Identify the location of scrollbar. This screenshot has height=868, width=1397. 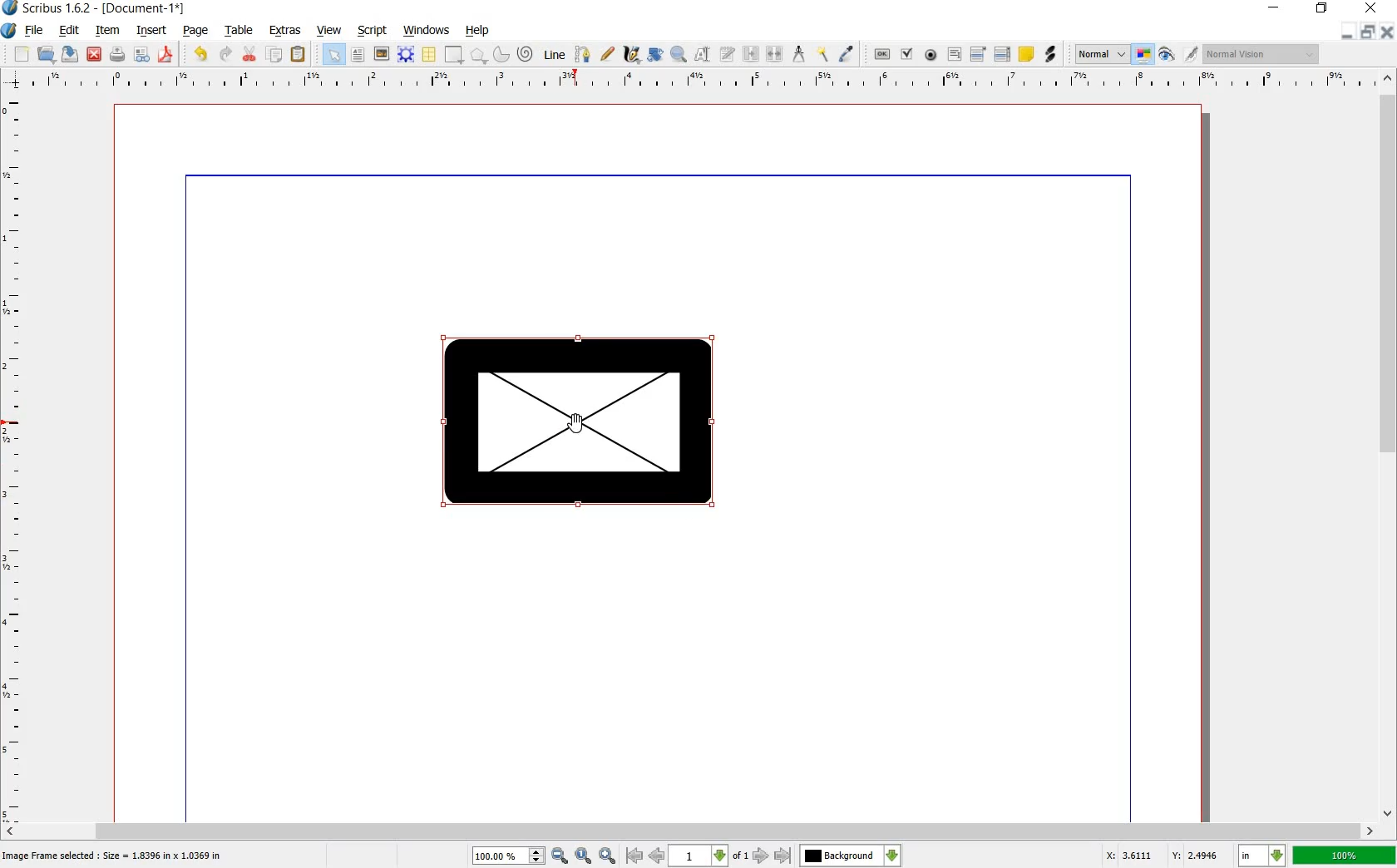
(1389, 447).